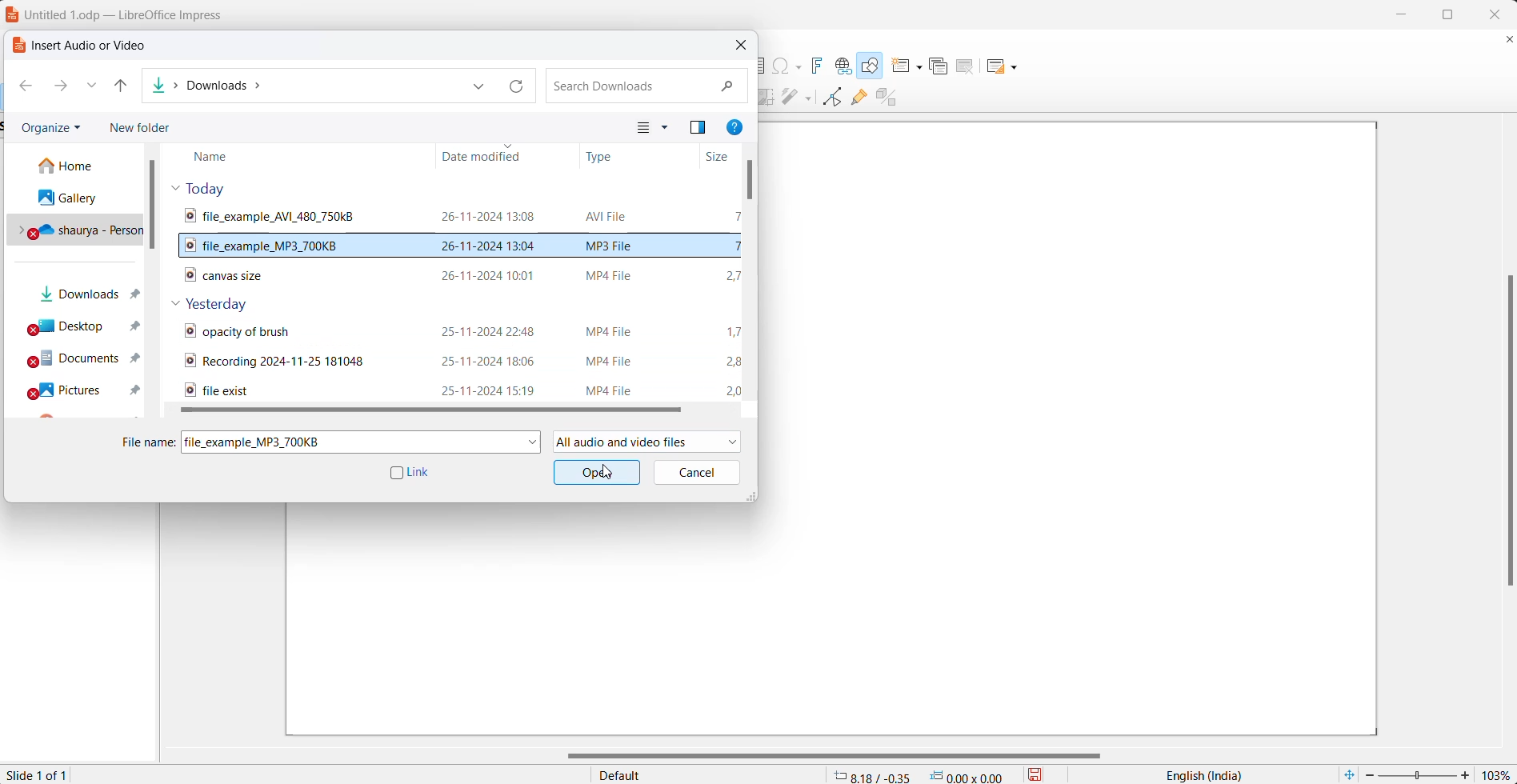 The height and width of the screenshot is (784, 1517). Describe the element at coordinates (859, 99) in the screenshot. I see `show gluepoint functions` at that location.